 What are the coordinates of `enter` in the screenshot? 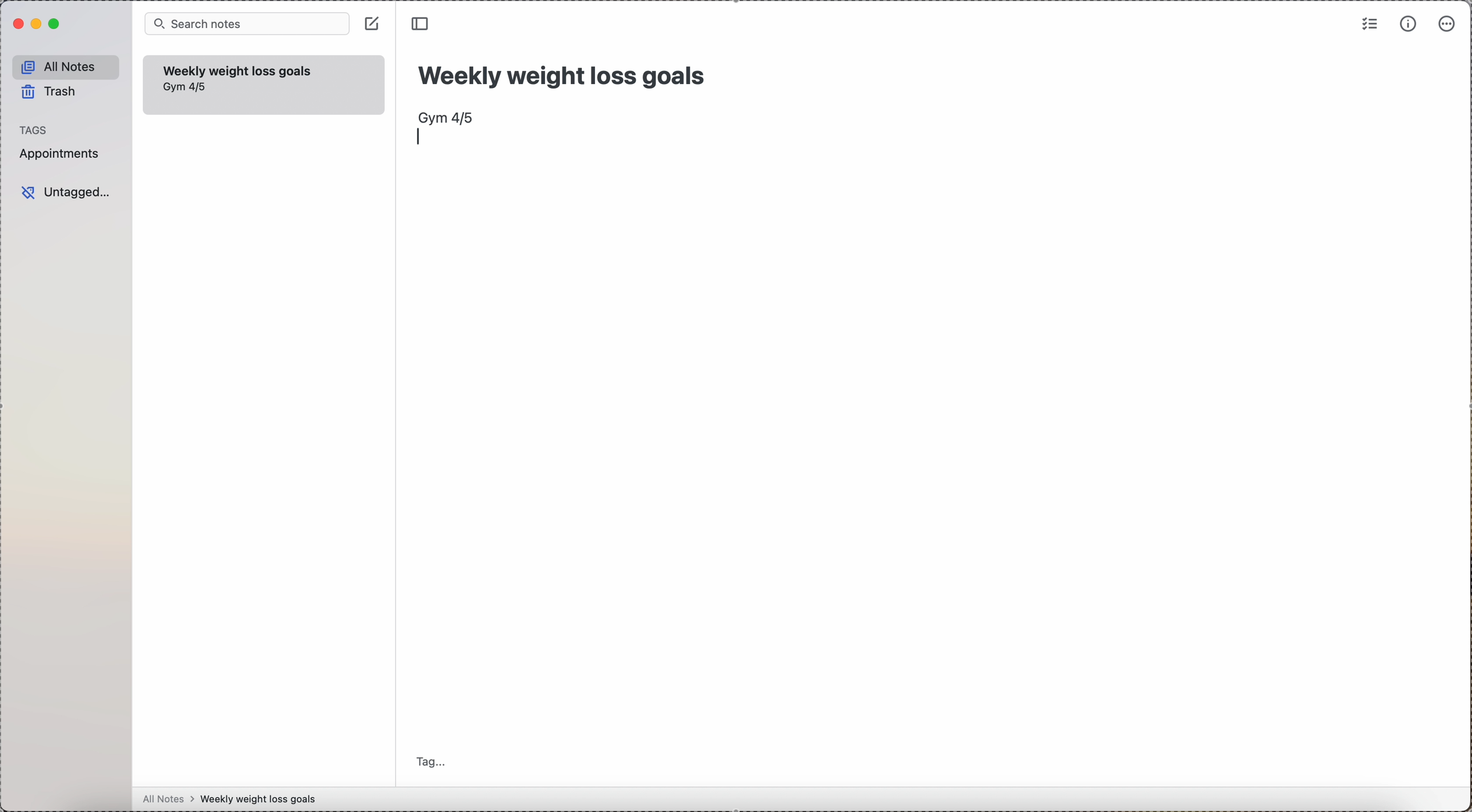 It's located at (421, 137).